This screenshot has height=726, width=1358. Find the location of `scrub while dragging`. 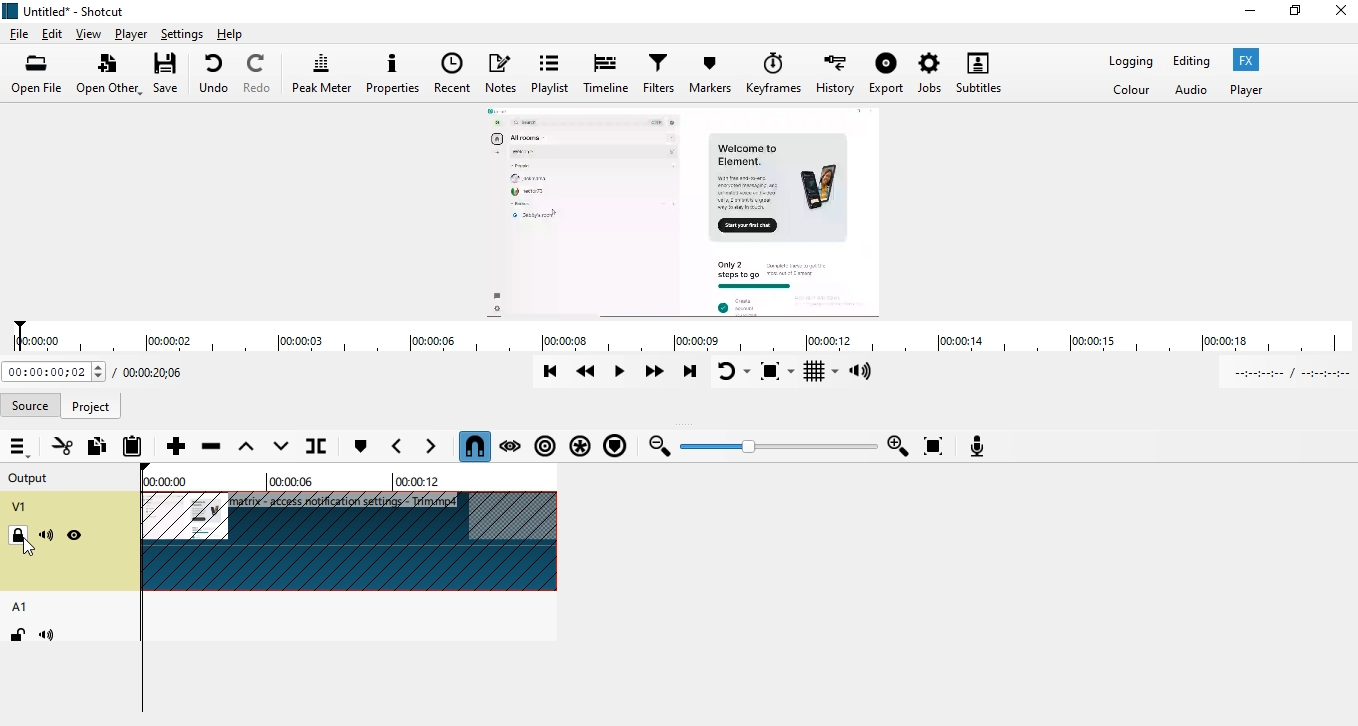

scrub while dragging is located at coordinates (511, 445).